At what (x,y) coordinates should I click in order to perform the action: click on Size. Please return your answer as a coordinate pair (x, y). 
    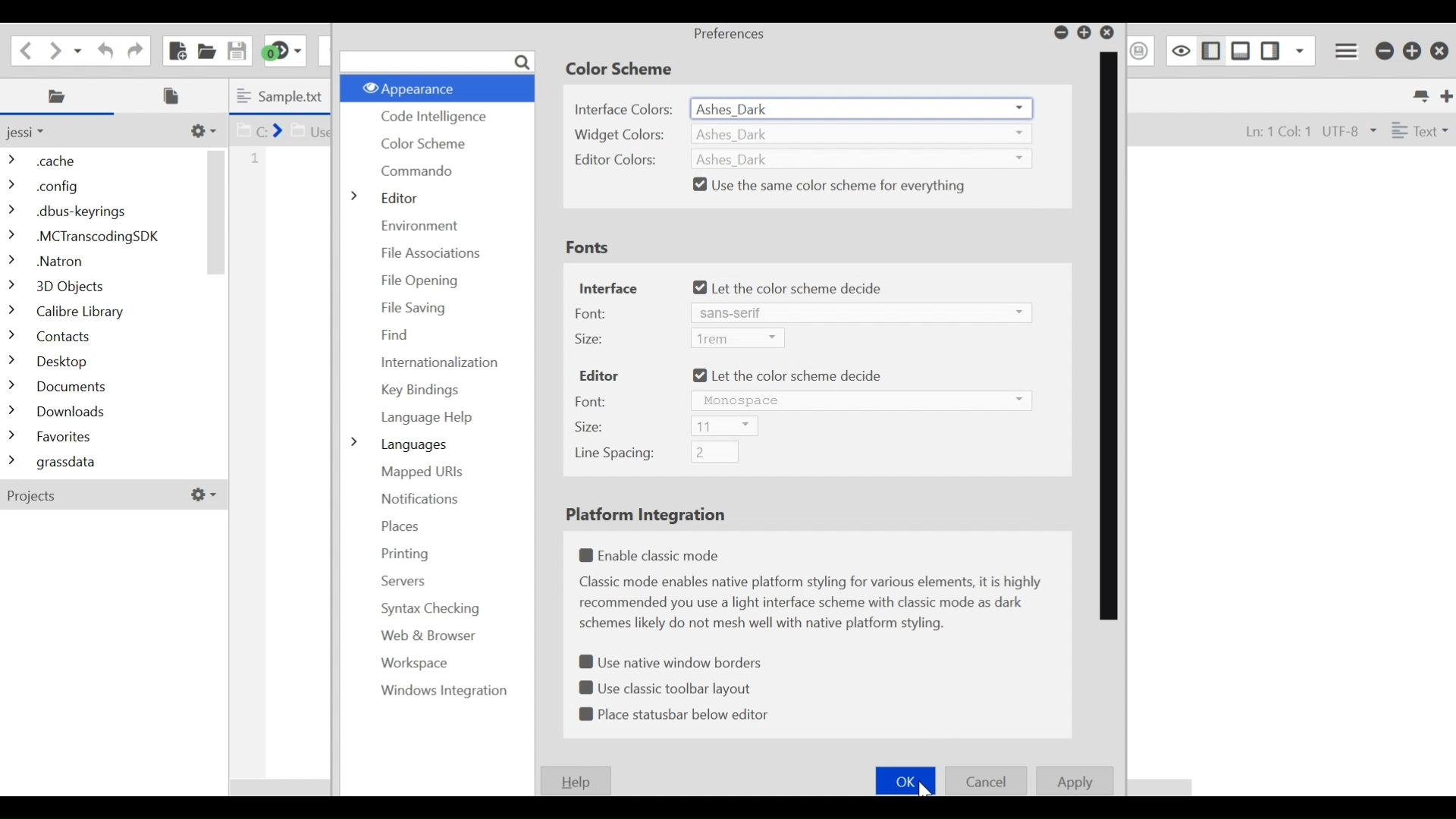
    Looking at the image, I should click on (591, 428).